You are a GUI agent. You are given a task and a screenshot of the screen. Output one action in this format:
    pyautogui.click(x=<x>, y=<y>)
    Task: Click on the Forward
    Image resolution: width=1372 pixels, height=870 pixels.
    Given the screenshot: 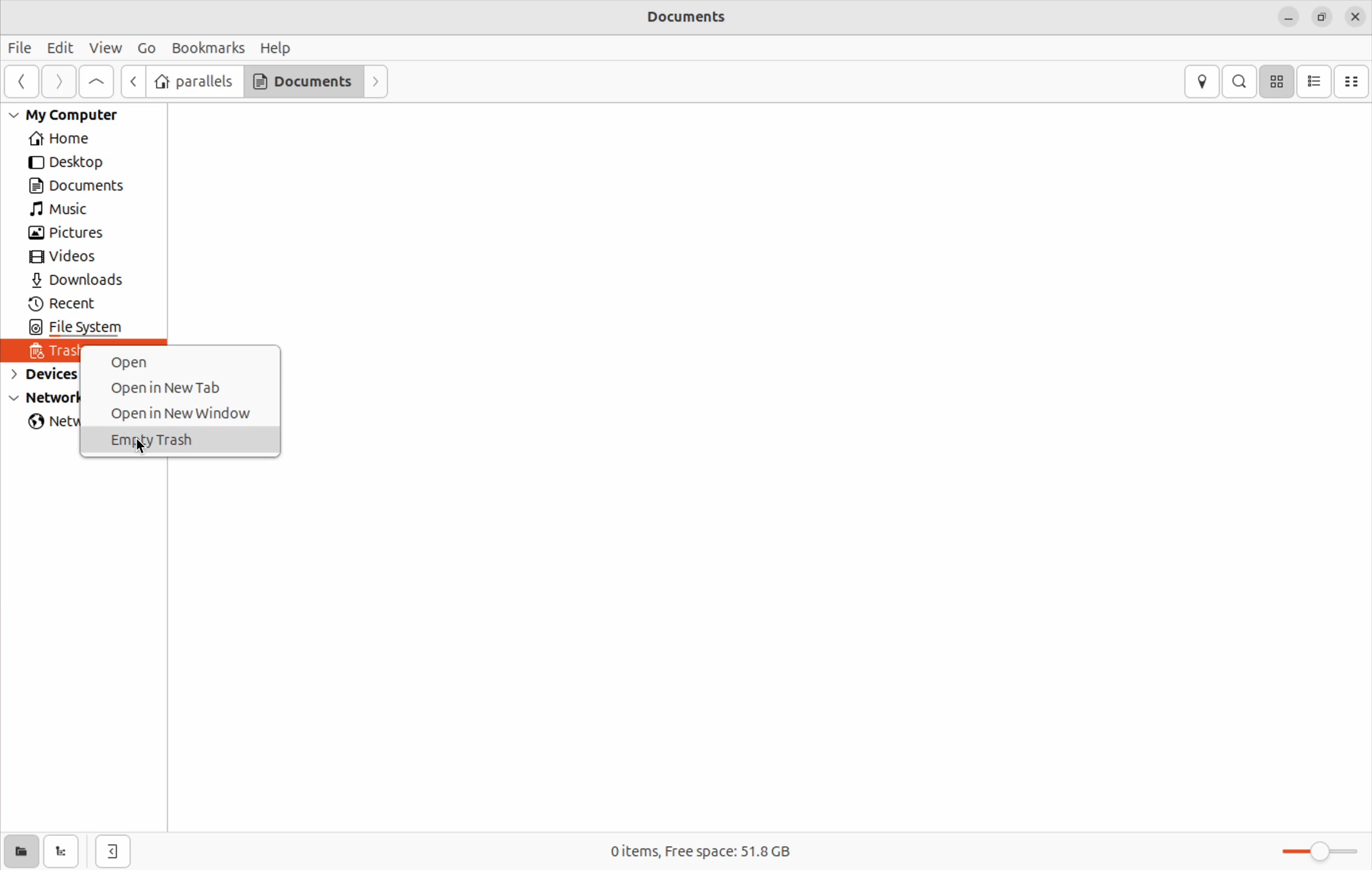 What is the action you would take?
    pyautogui.click(x=378, y=82)
    